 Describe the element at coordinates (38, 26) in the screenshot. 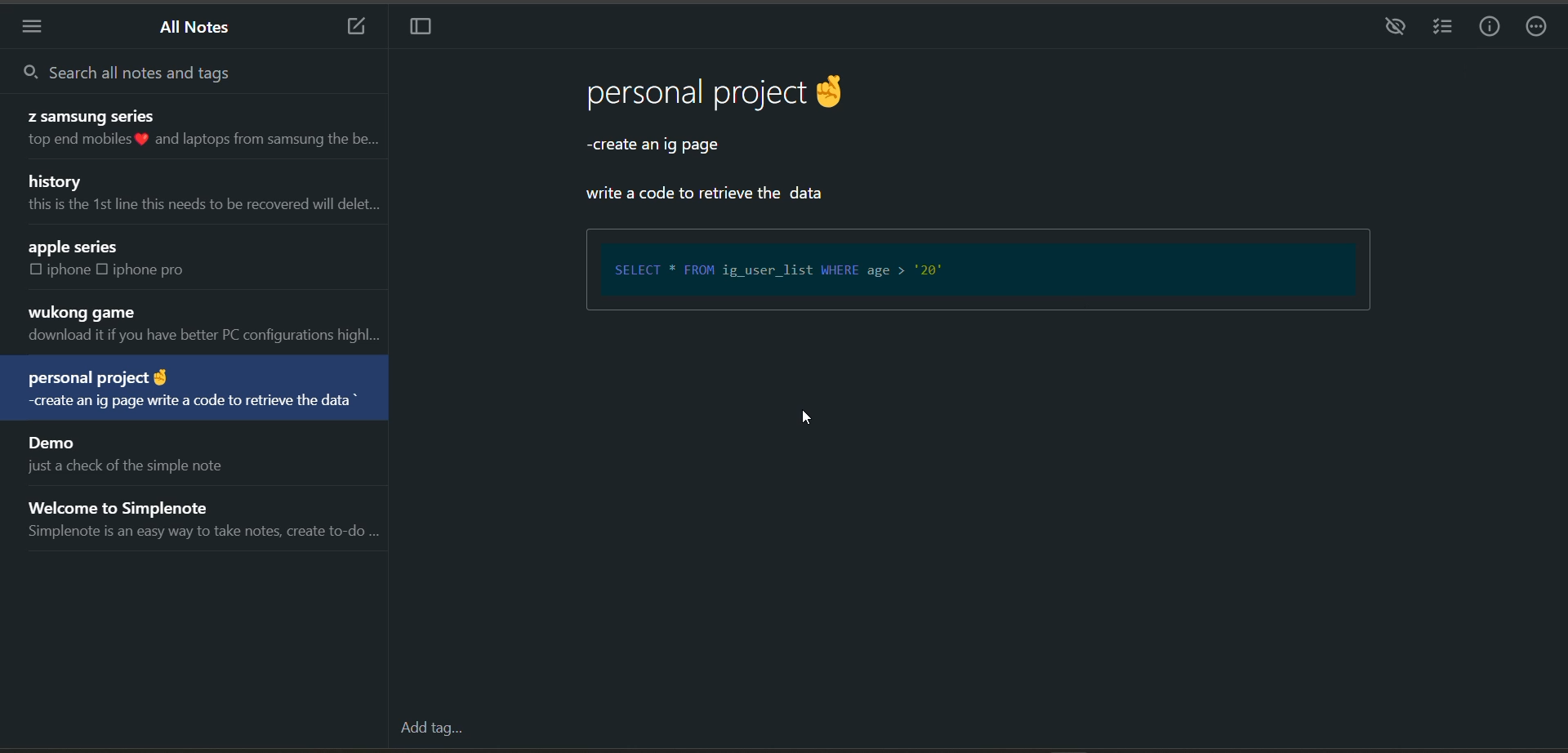

I see `menu` at that location.